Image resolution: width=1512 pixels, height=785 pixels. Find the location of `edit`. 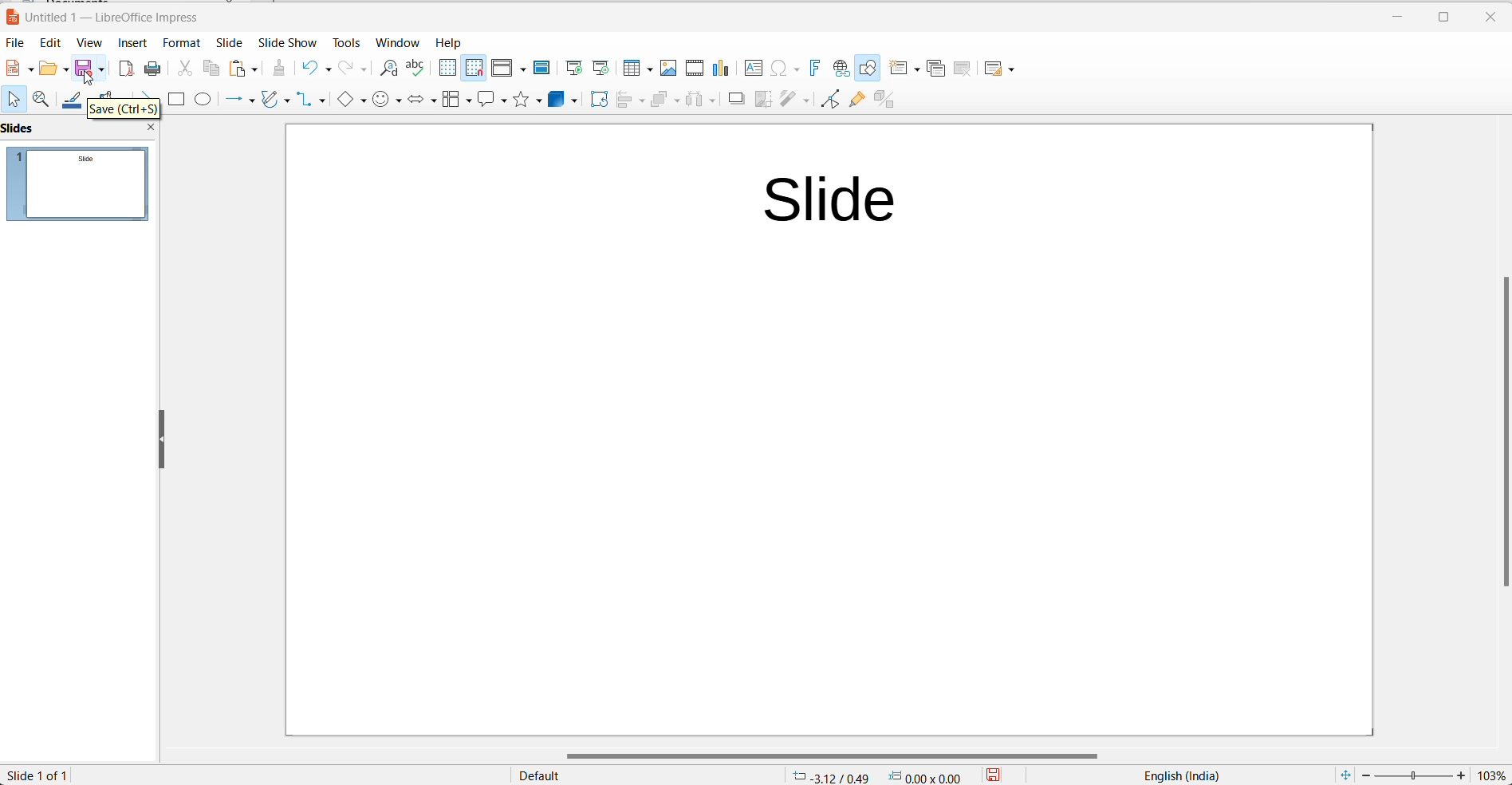

edit is located at coordinates (48, 43).